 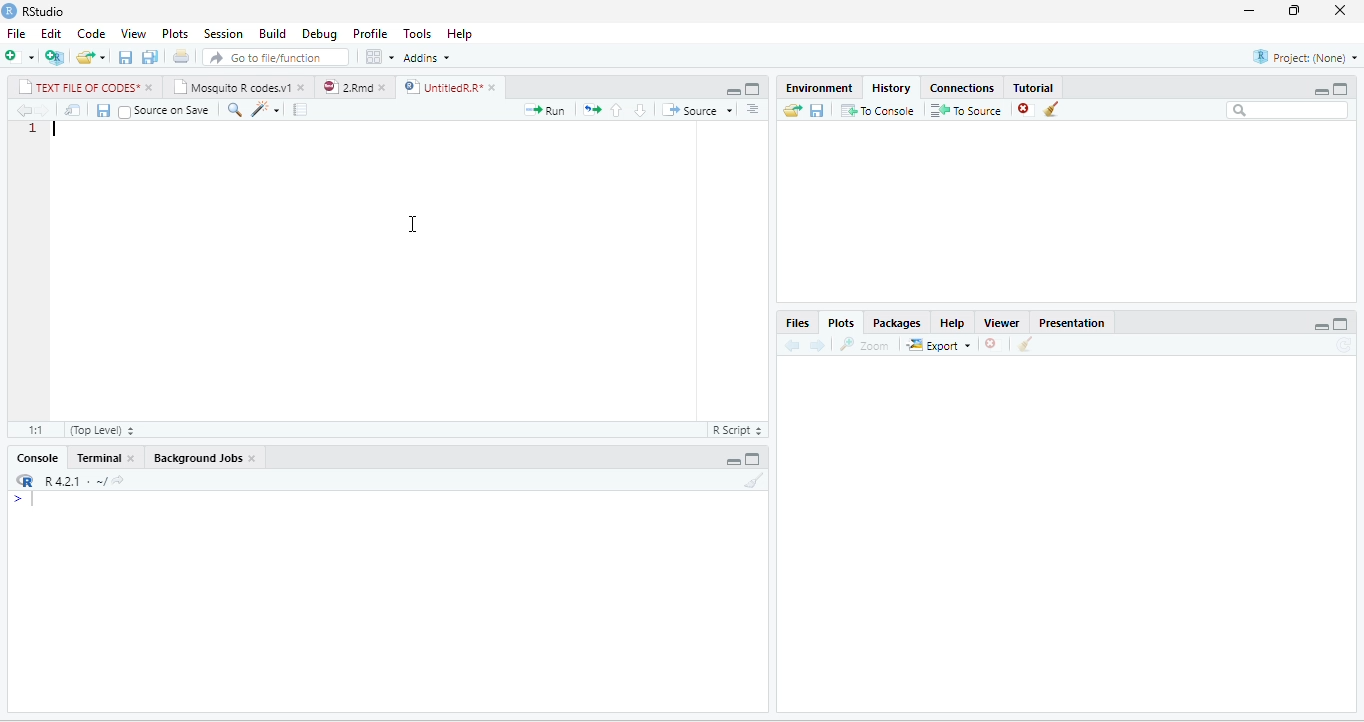 I want to click on Maximize, so click(x=1340, y=89).